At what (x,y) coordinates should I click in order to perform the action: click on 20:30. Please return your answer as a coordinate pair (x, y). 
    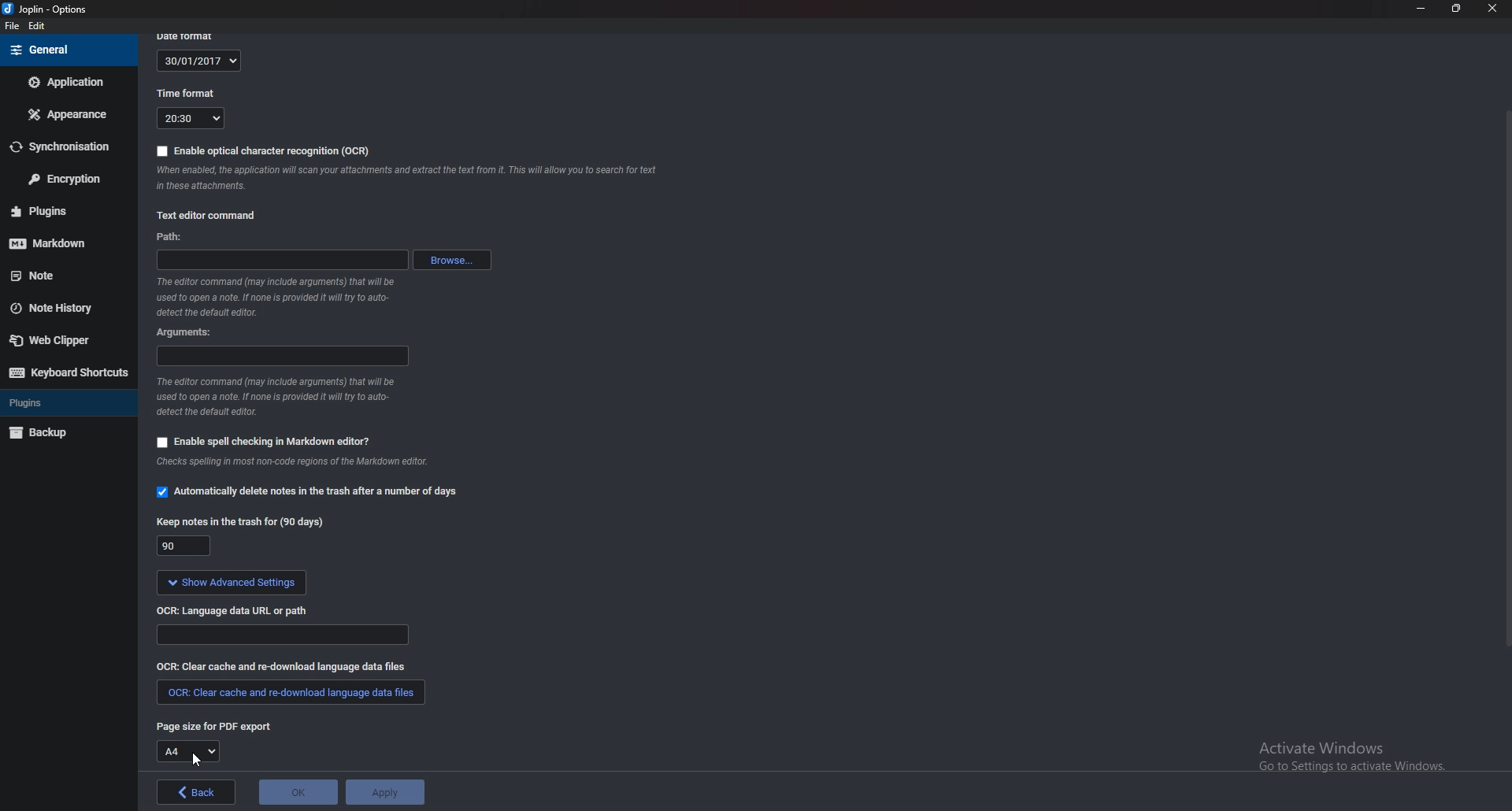
    Looking at the image, I should click on (191, 119).